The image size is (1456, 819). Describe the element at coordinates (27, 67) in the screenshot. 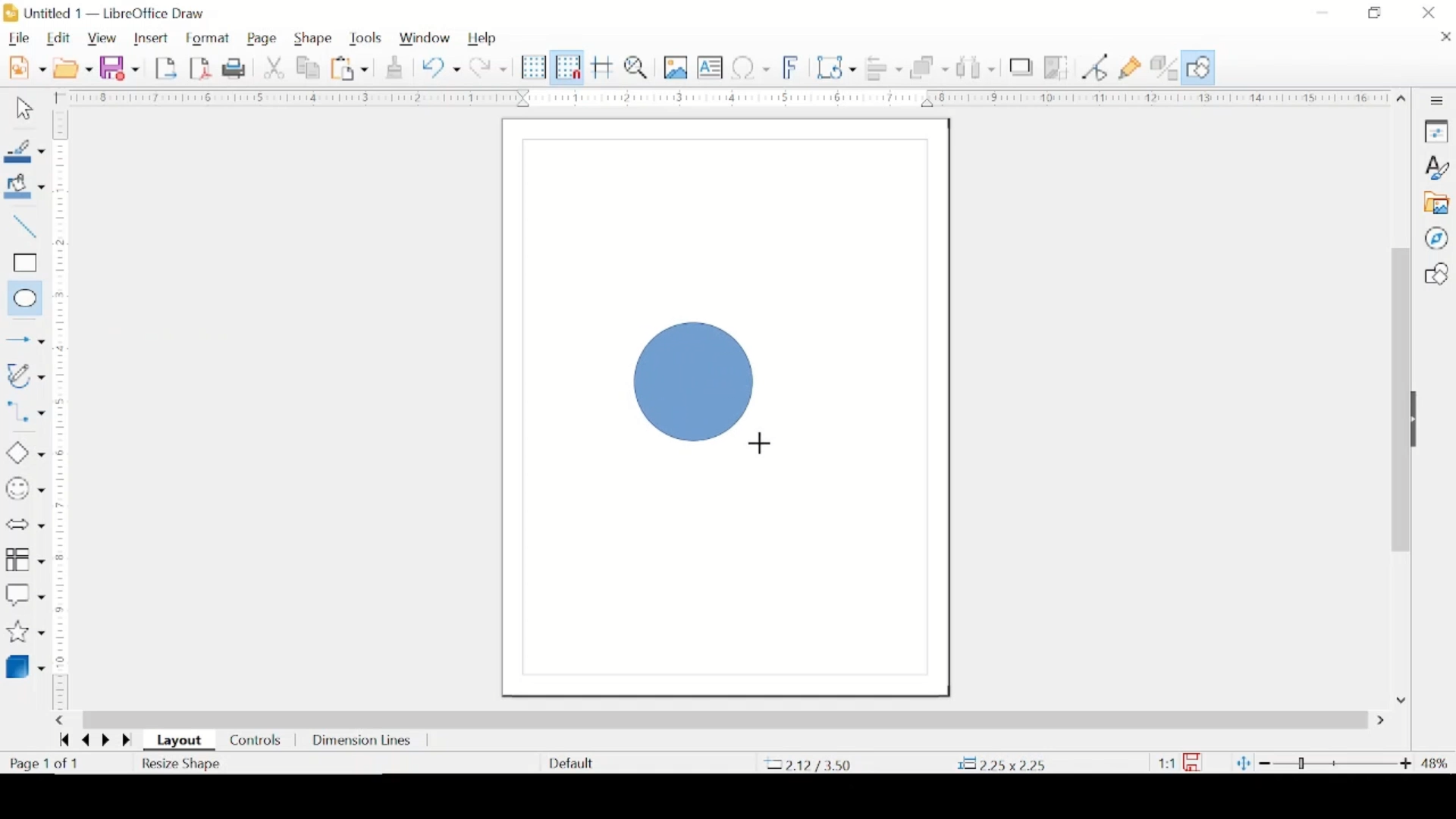

I see `new` at that location.